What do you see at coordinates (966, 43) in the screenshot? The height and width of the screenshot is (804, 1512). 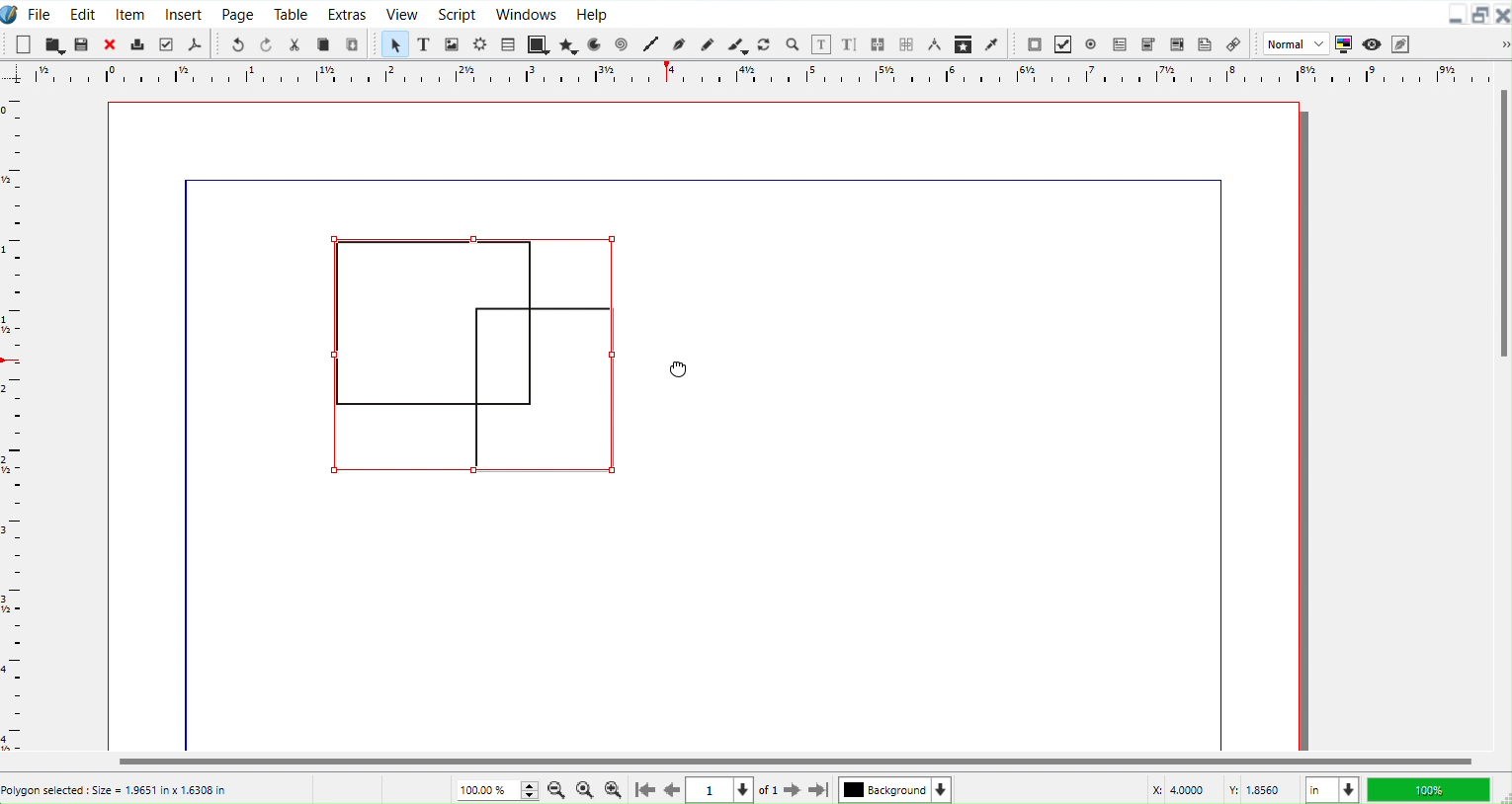 I see `Copy Item Properties` at bounding box center [966, 43].